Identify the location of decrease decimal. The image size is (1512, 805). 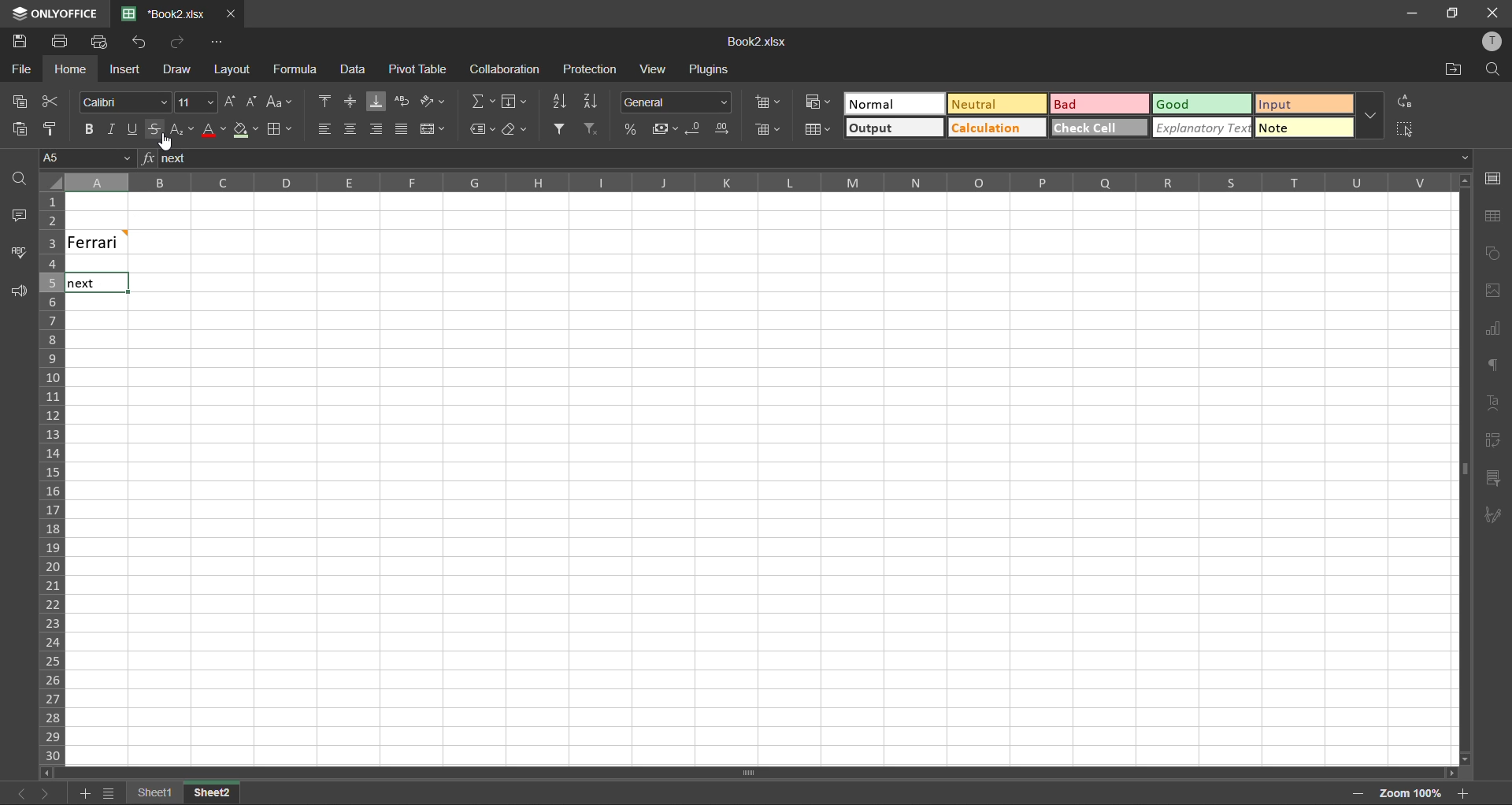
(692, 132).